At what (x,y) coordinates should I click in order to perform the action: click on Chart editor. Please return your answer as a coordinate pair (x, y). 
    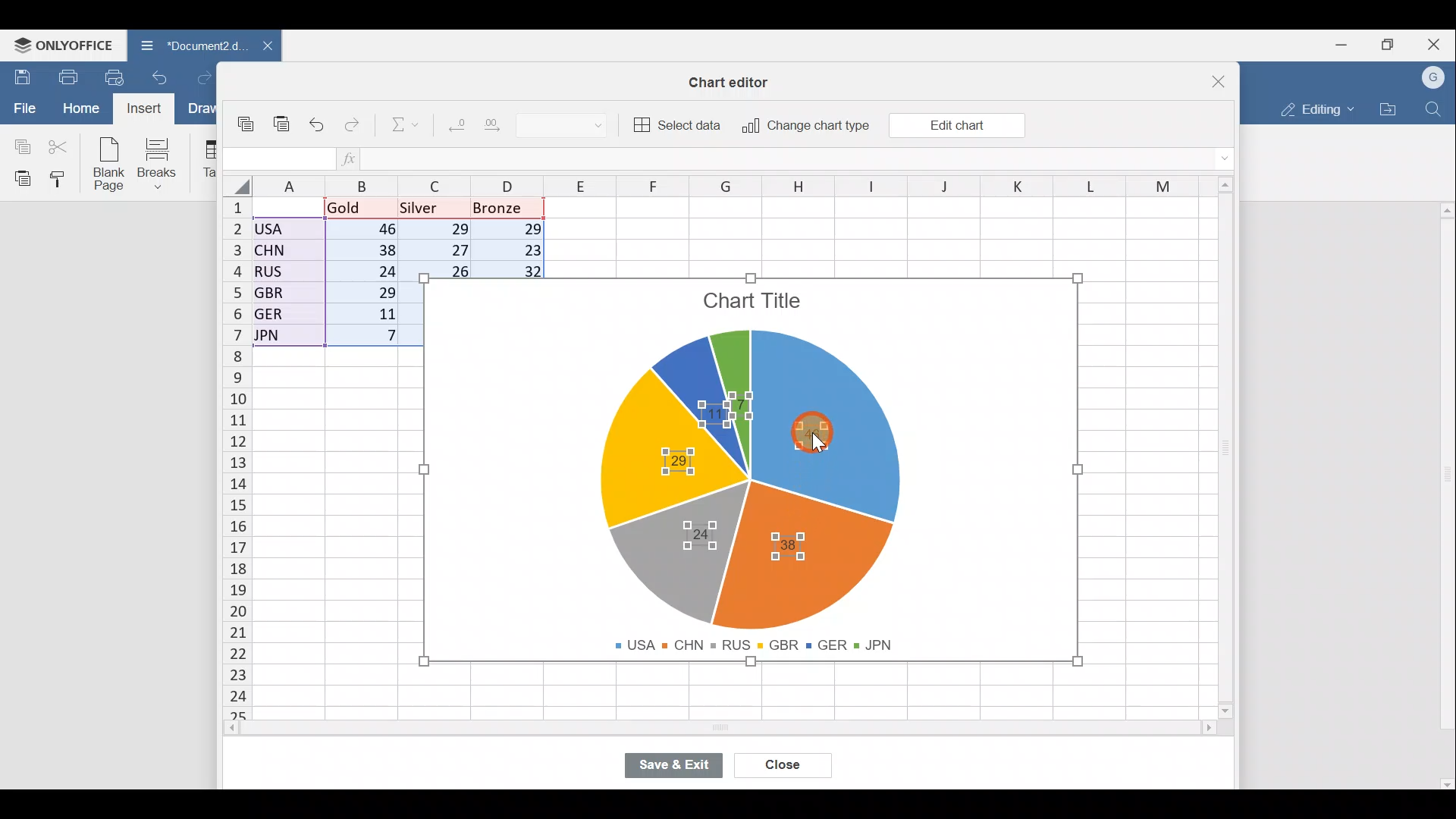
    Looking at the image, I should click on (732, 82).